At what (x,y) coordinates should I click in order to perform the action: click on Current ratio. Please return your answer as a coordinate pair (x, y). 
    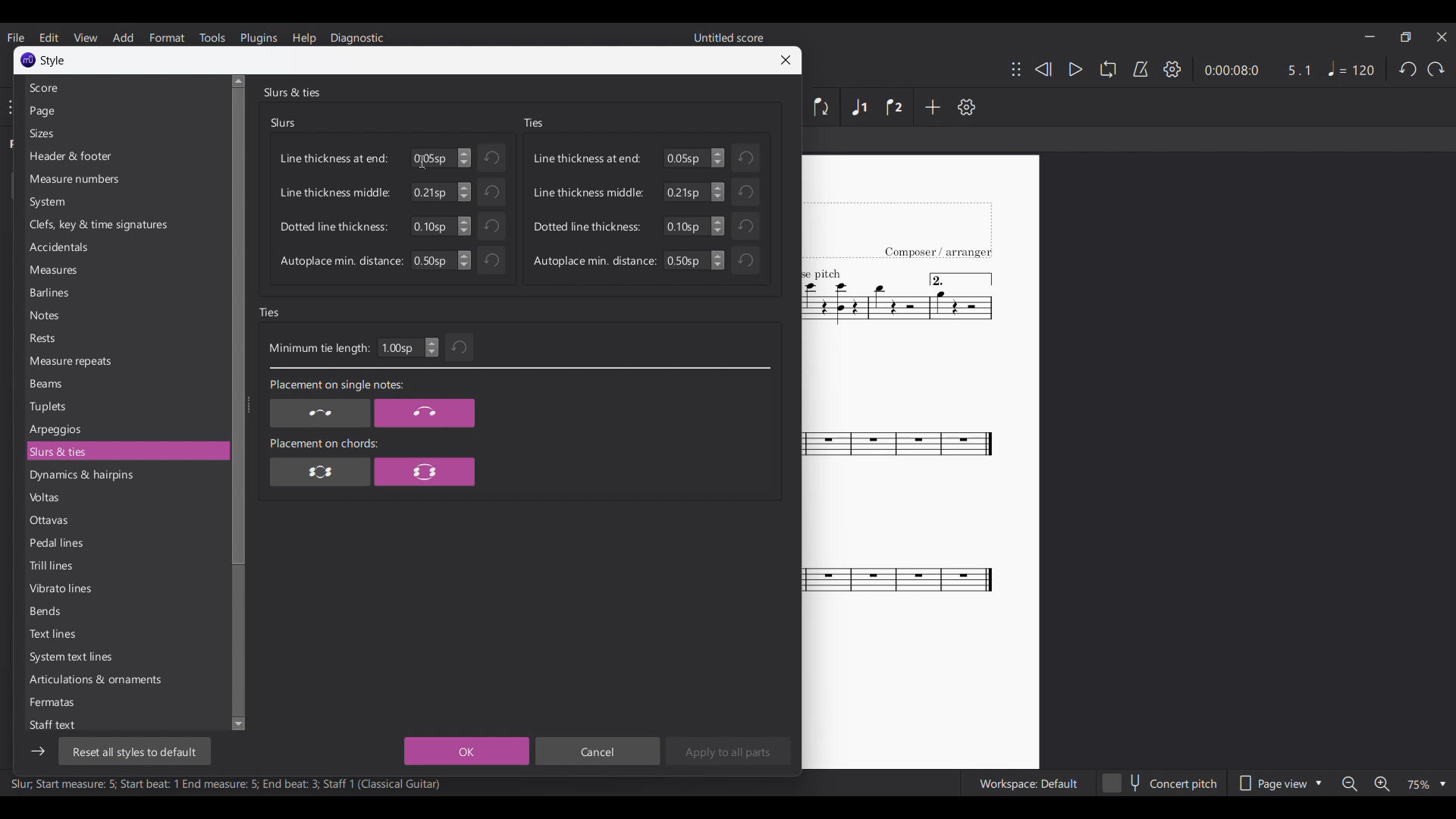
    Looking at the image, I should click on (1299, 70).